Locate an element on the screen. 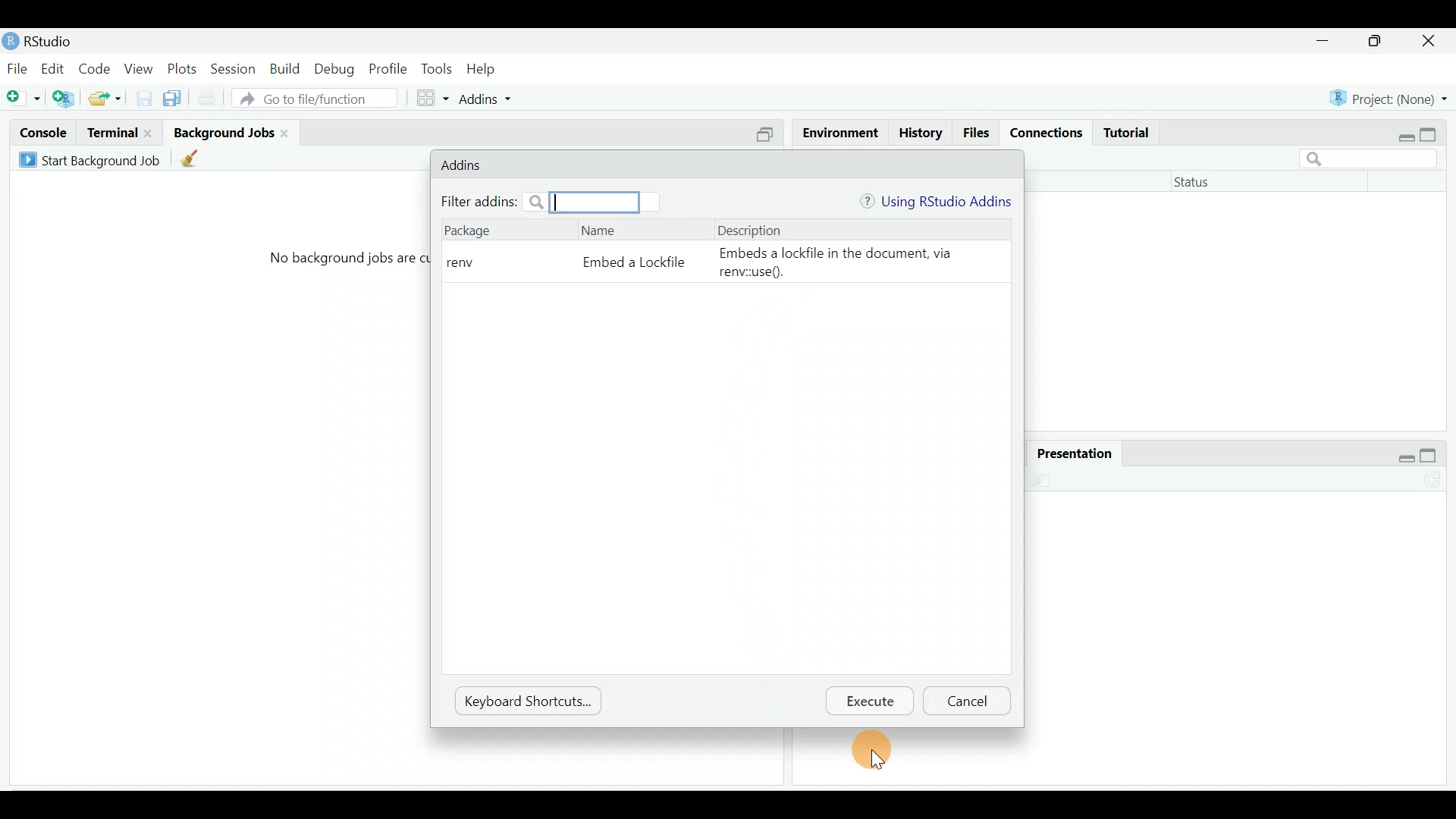  Code is located at coordinates (96, 70).